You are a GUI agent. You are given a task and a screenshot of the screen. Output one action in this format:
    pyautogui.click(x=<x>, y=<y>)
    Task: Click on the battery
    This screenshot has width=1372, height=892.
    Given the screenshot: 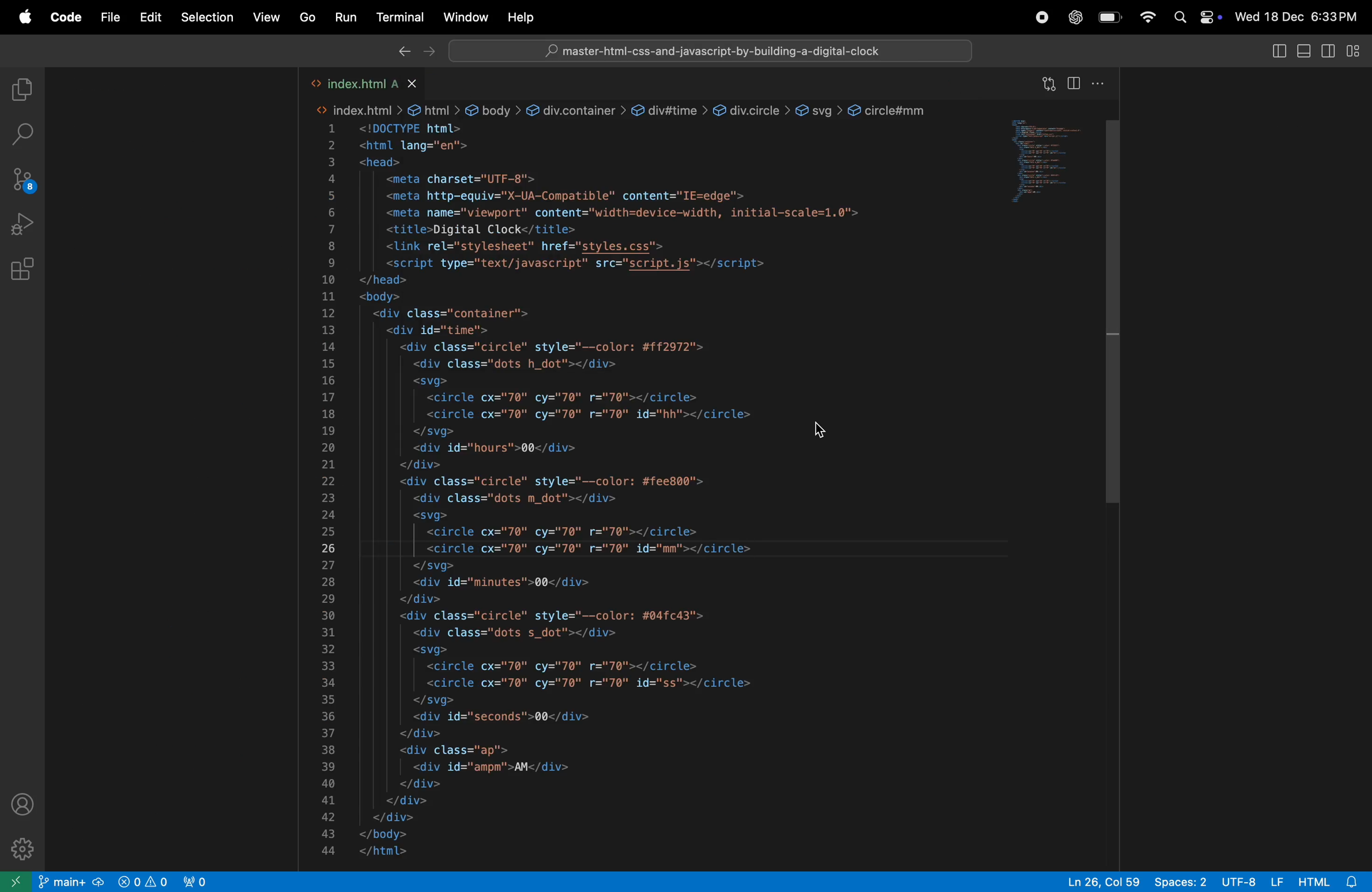 What is the action you would take?
    pyautogui.click(x=1109, y=18)
    